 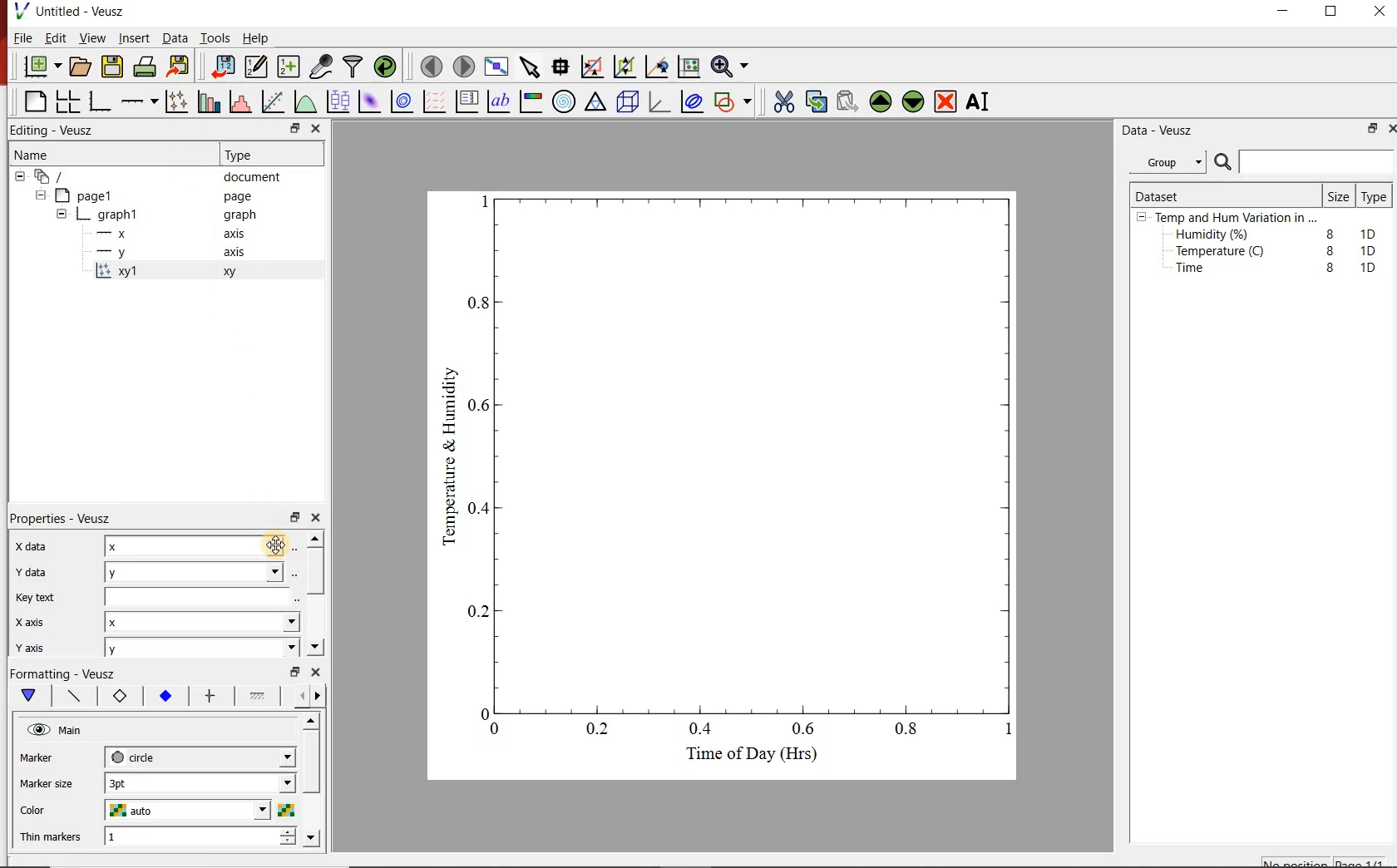 What do you see at coordinates (257, 67) in the screenshot?
I see `Edit and enter new datasets` at bounding box center [257, 67].